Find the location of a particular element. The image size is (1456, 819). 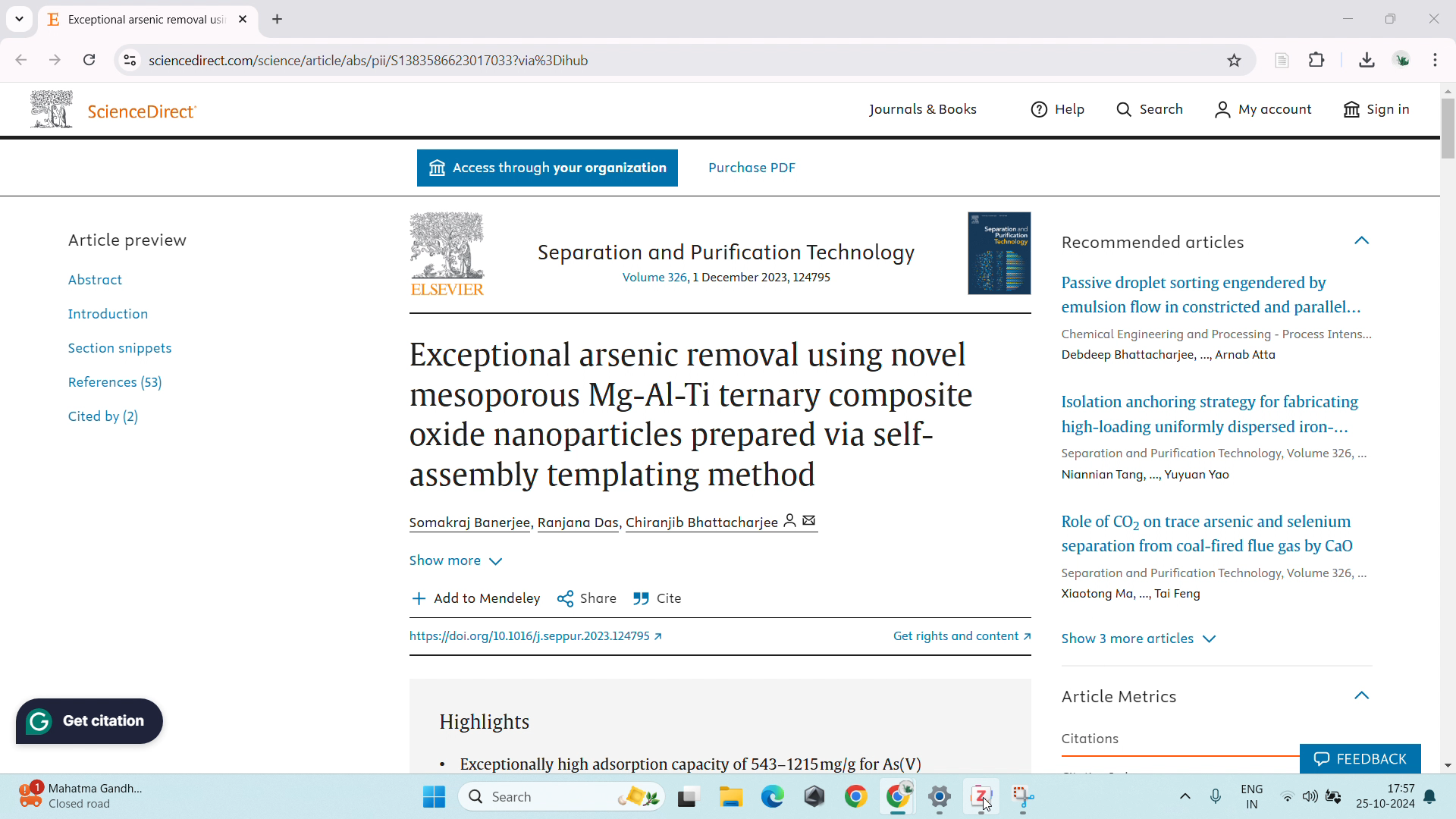

downloads is located at coordinates (1367, 58).